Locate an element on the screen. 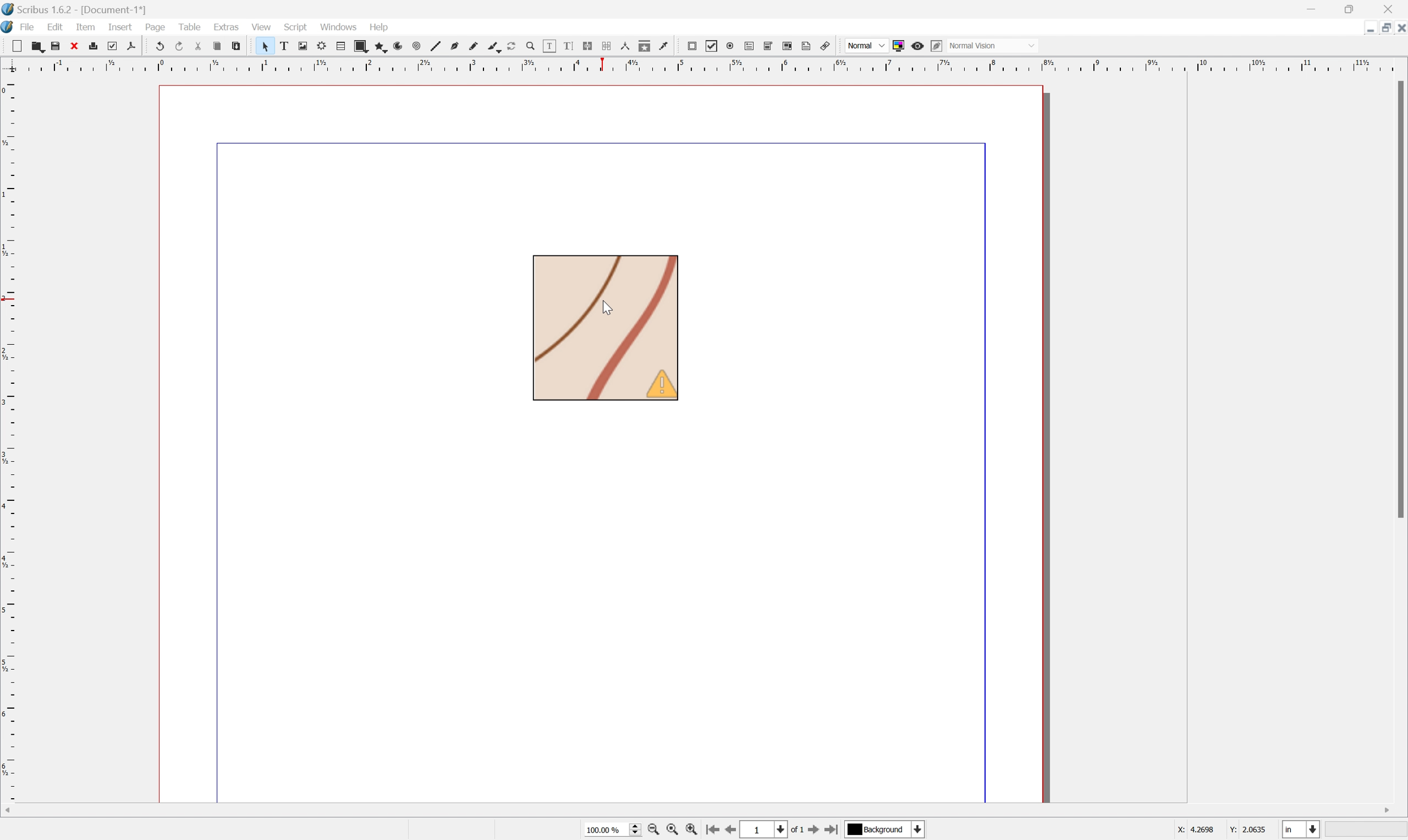 The image size is (1408, 840). Paste is located at coordinates (239, 46).